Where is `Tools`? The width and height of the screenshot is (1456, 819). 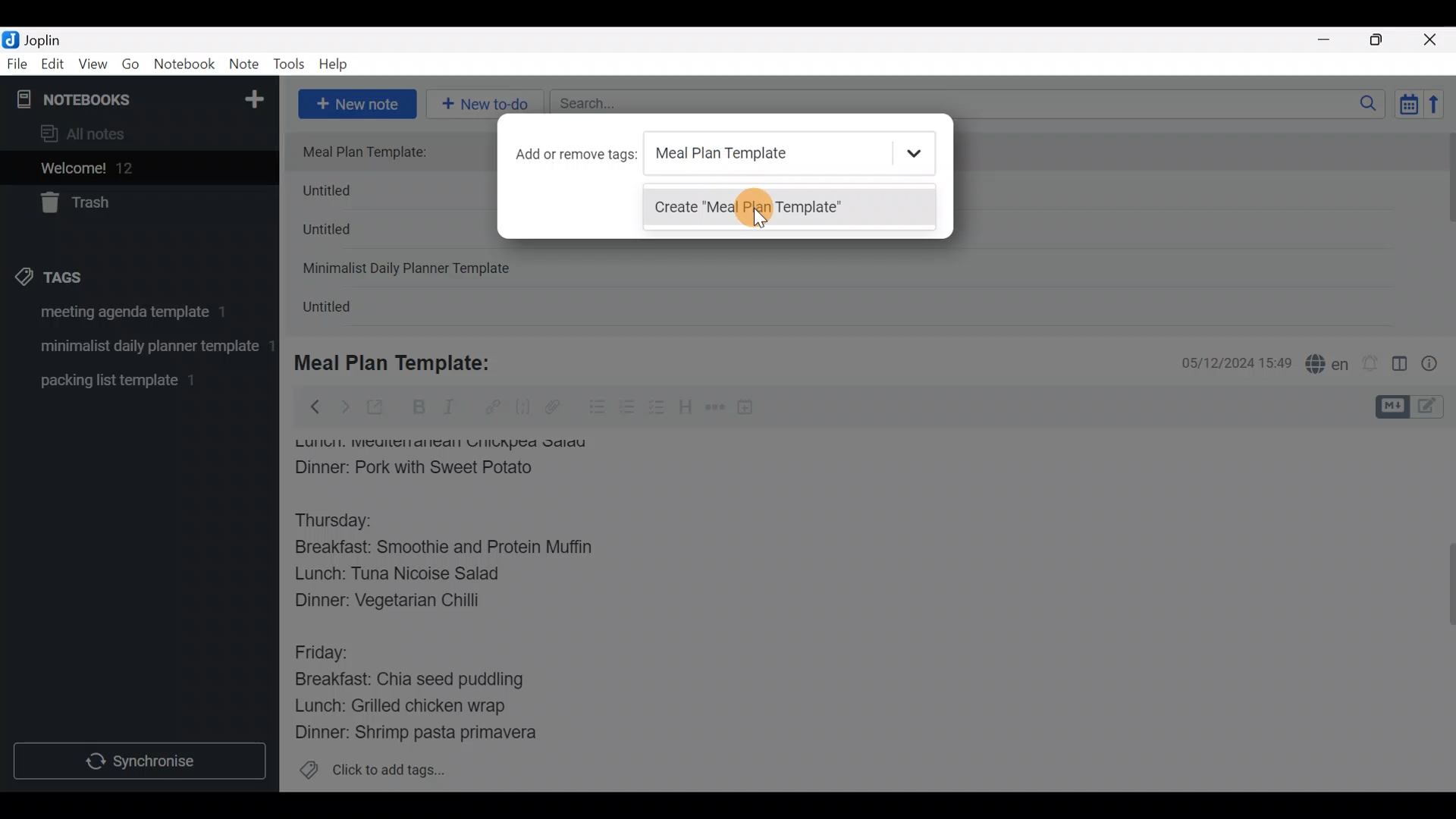
Tools is located at coordinates (290, 65).